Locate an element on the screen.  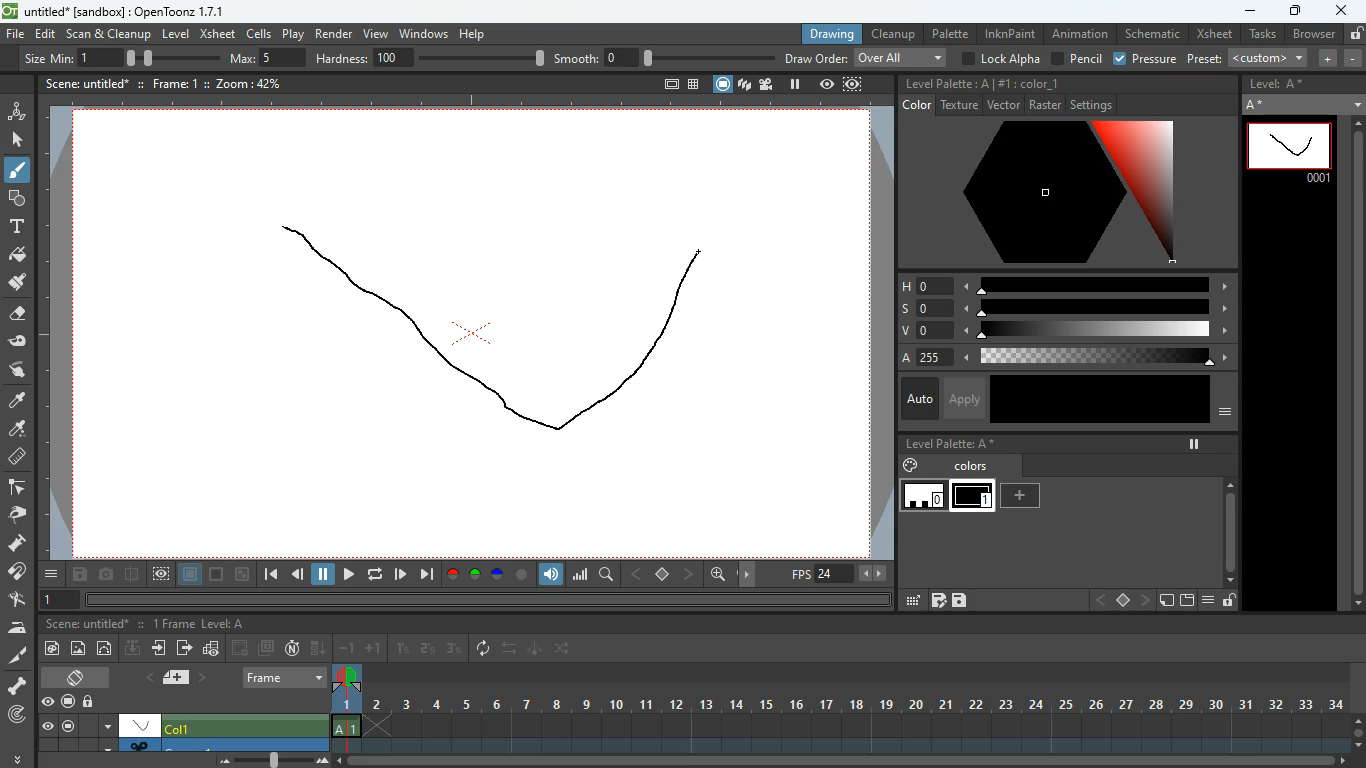
add is located at coordinates (1023, 496).